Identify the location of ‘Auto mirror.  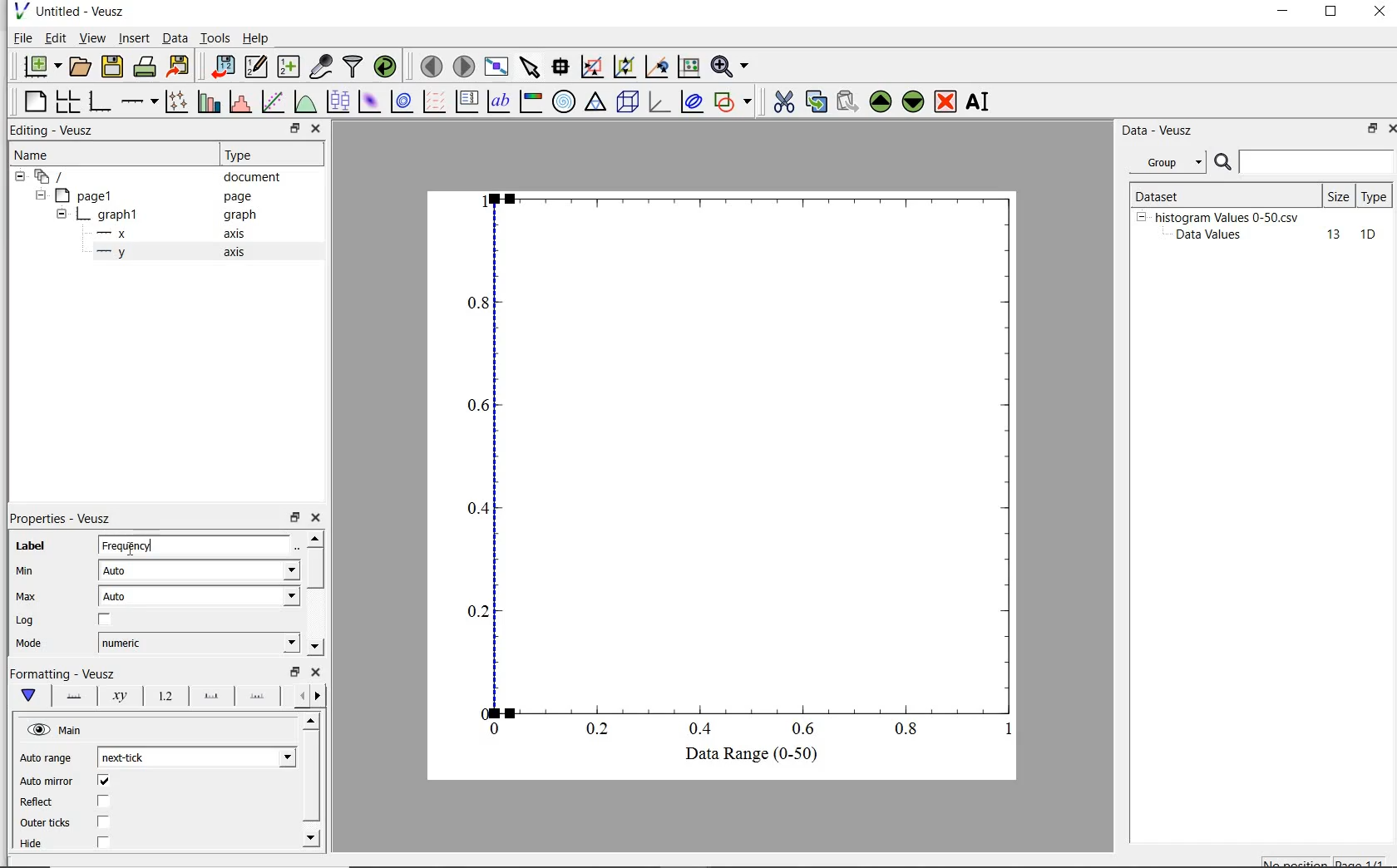
(47, 780).